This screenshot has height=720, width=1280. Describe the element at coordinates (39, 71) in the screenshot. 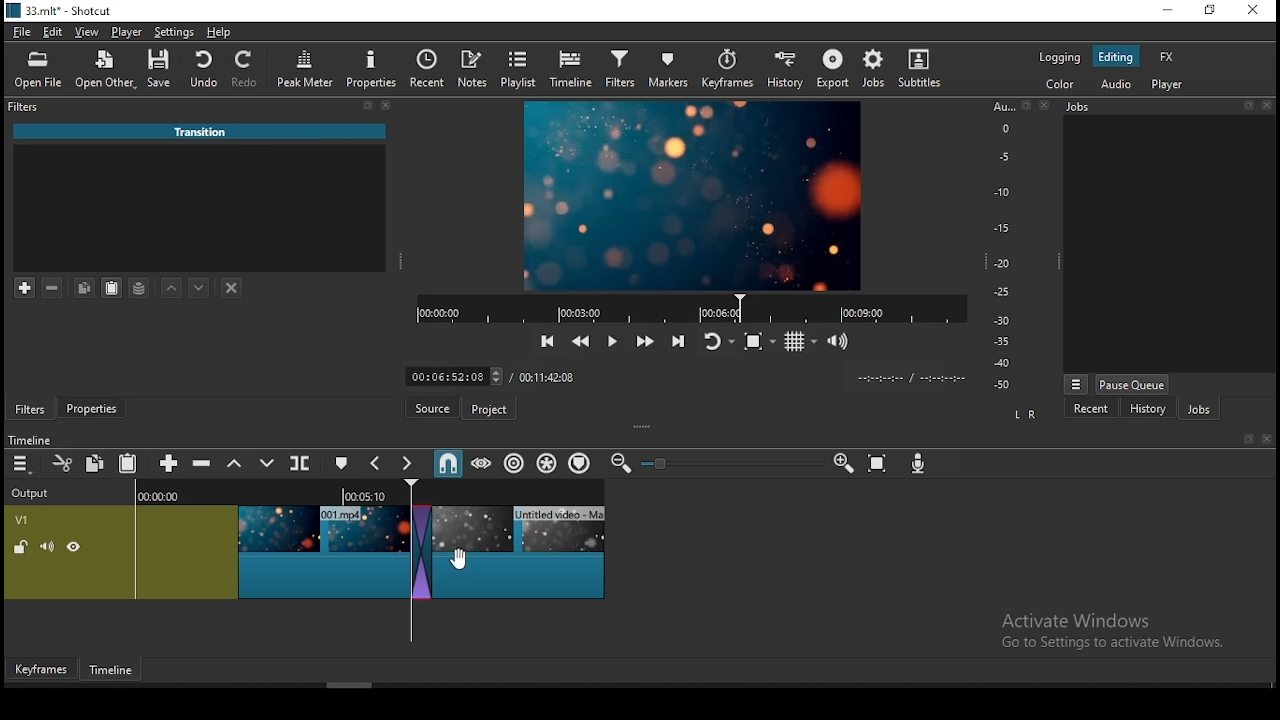

I see `open file` at that location.